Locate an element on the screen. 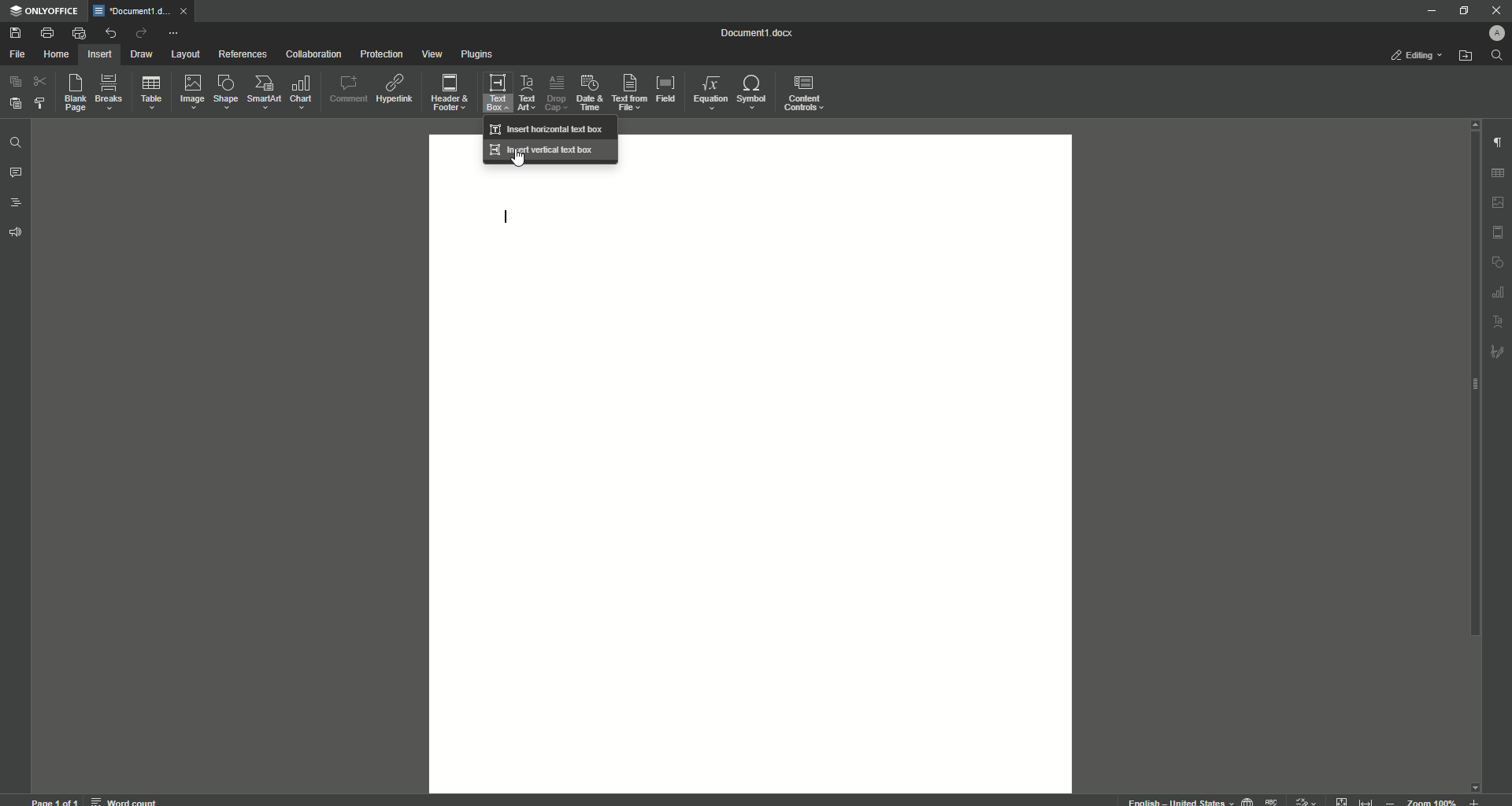 The width and height of the screenshot is (1512, 806). Copy is located at coordinates (16, 82).